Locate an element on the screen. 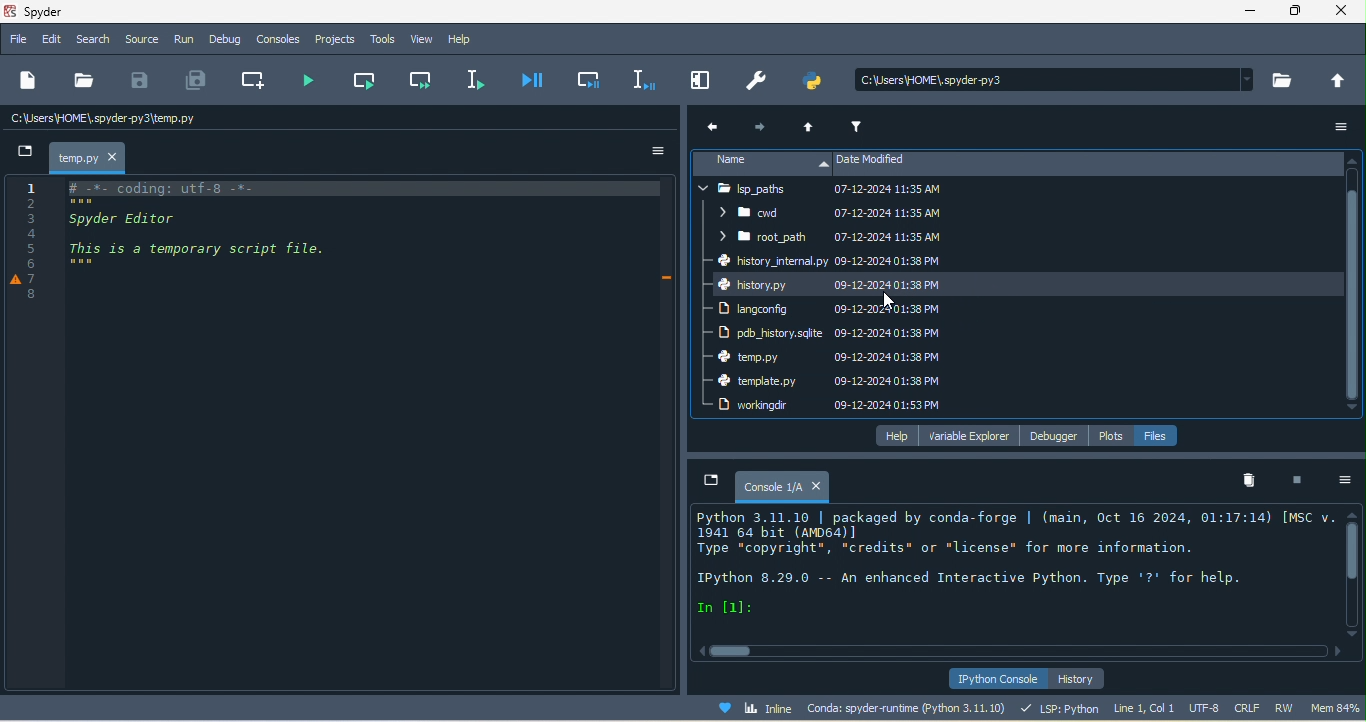  run selection is located at coordinates (476, 78).